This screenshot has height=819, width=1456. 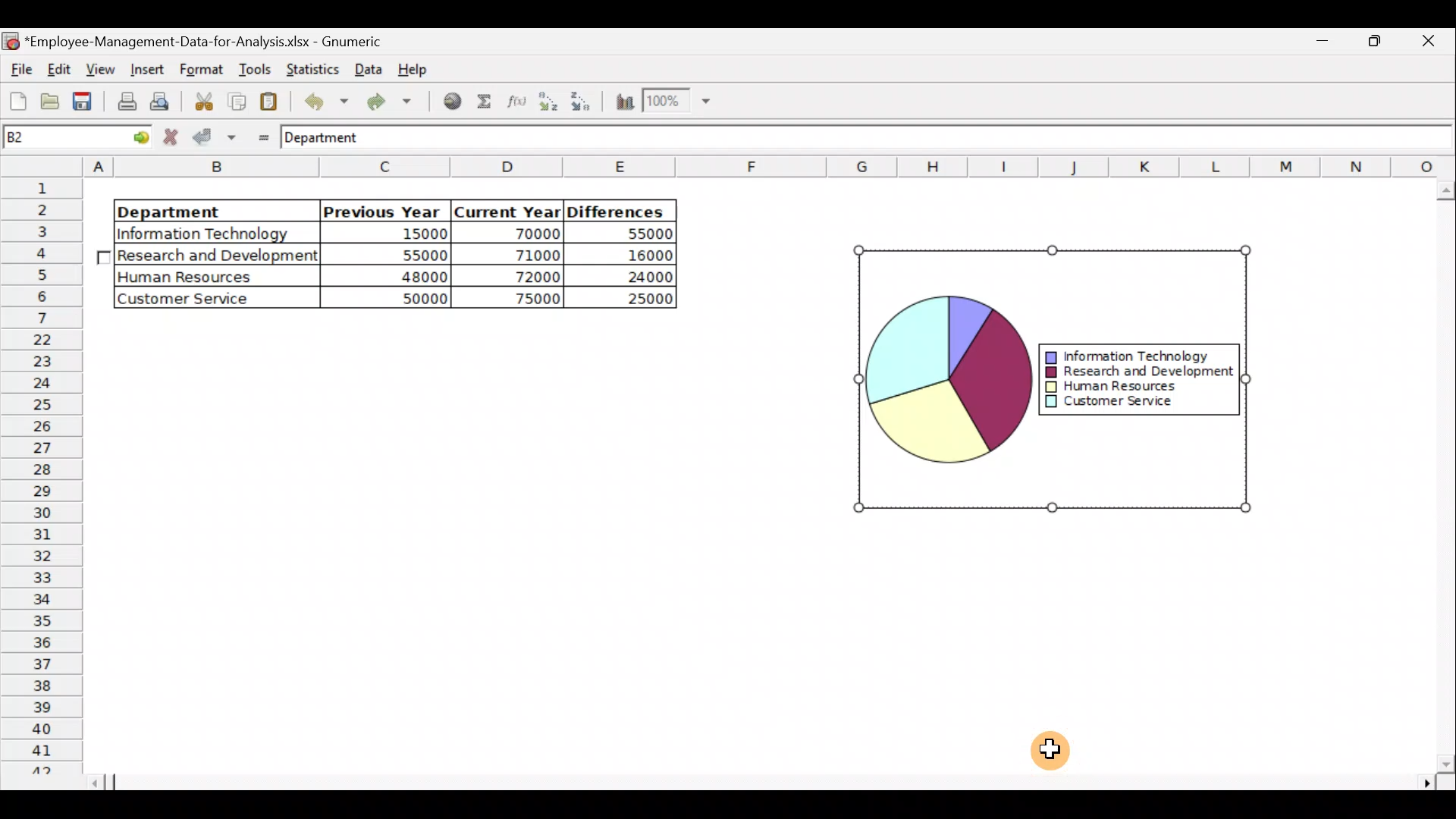 I want to click on Statistics, so click(x=313, y=68).